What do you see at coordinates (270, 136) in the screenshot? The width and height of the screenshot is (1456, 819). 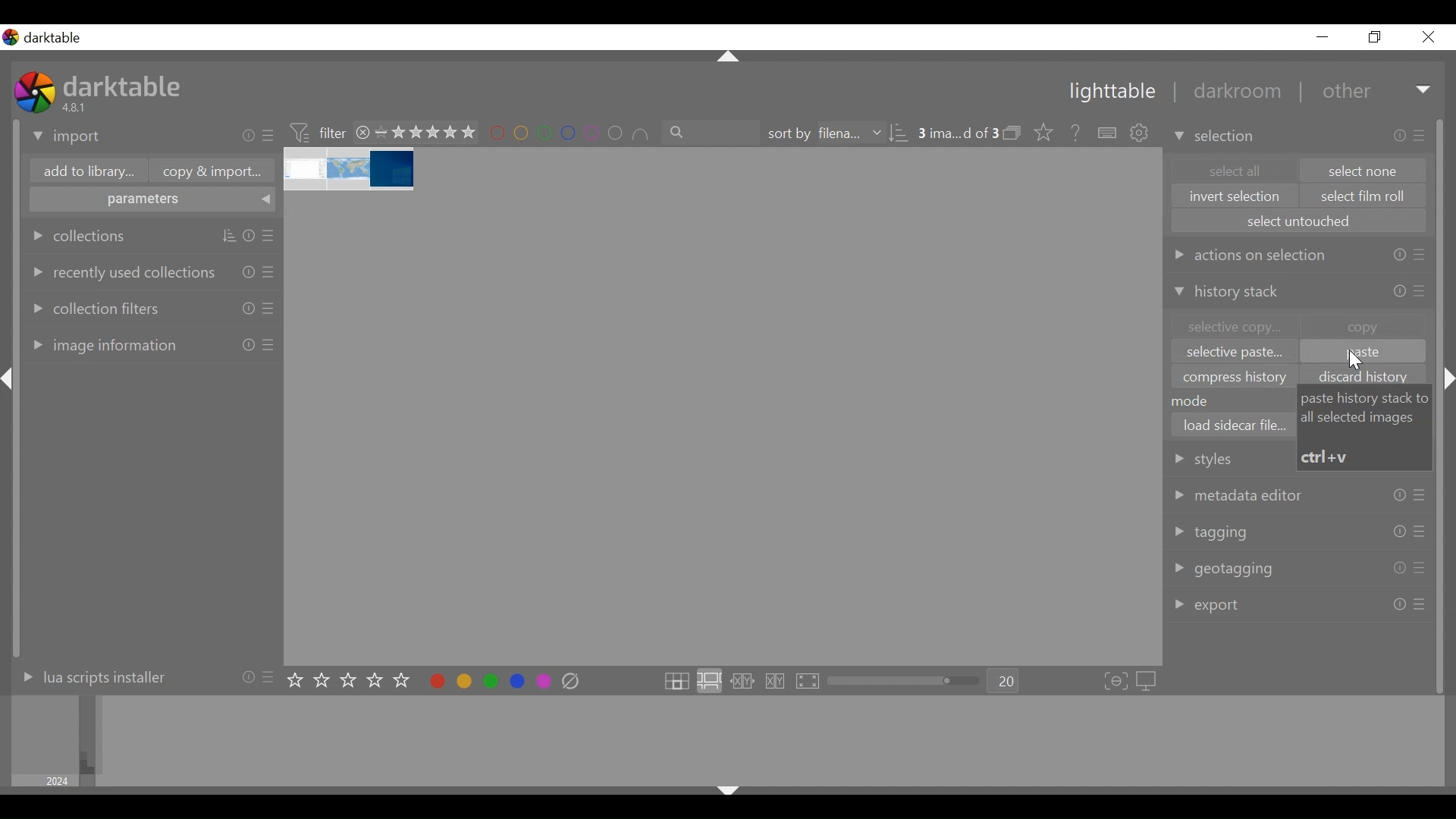 I see `presets` at bounding box center [270, 136].